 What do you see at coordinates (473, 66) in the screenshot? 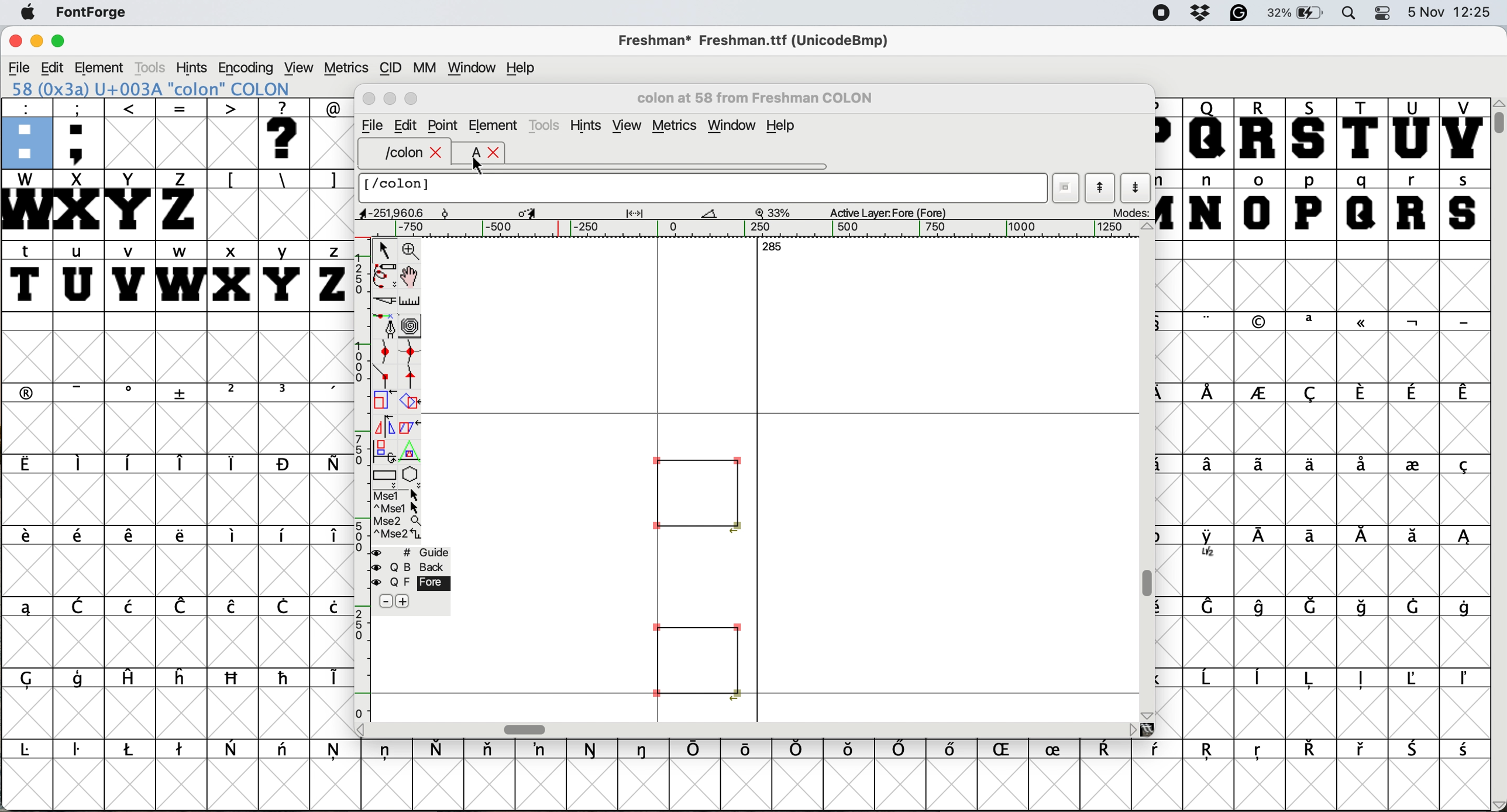
I see `window` at bounding box center [473, 66].